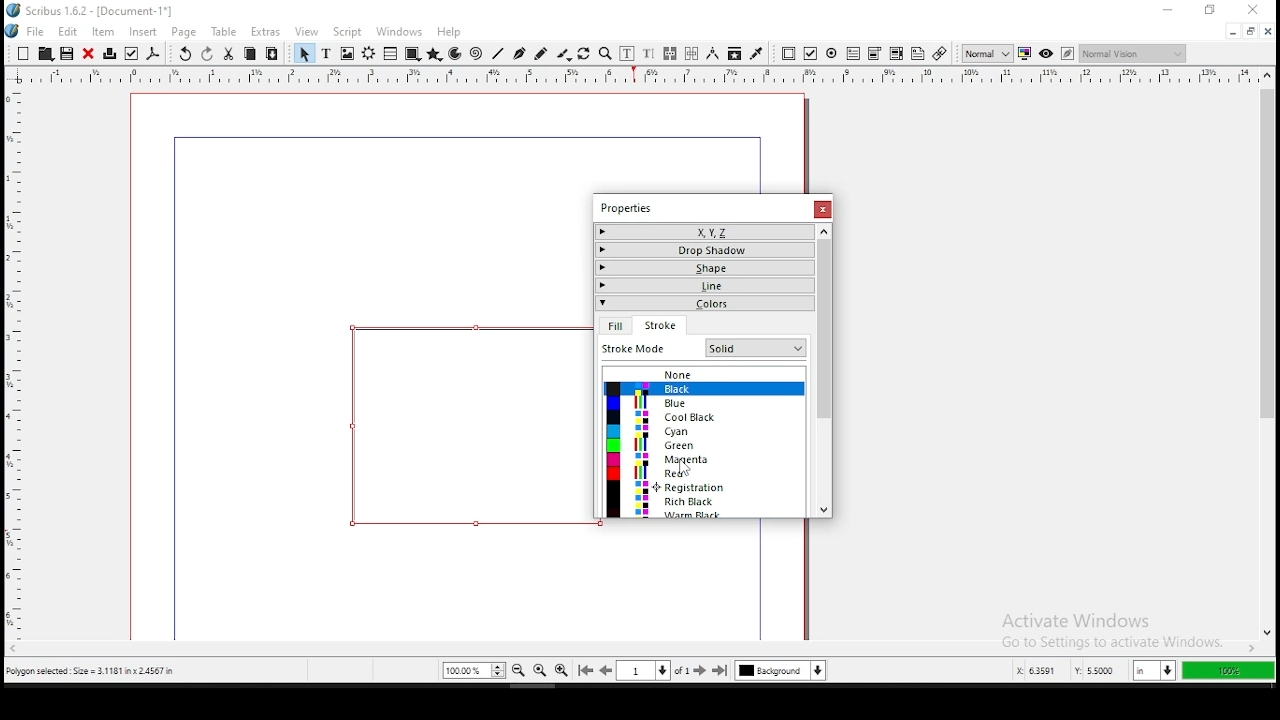  Describe the element at coordinates (541, 53) in the screenshot. I see `freehand line` at that location.